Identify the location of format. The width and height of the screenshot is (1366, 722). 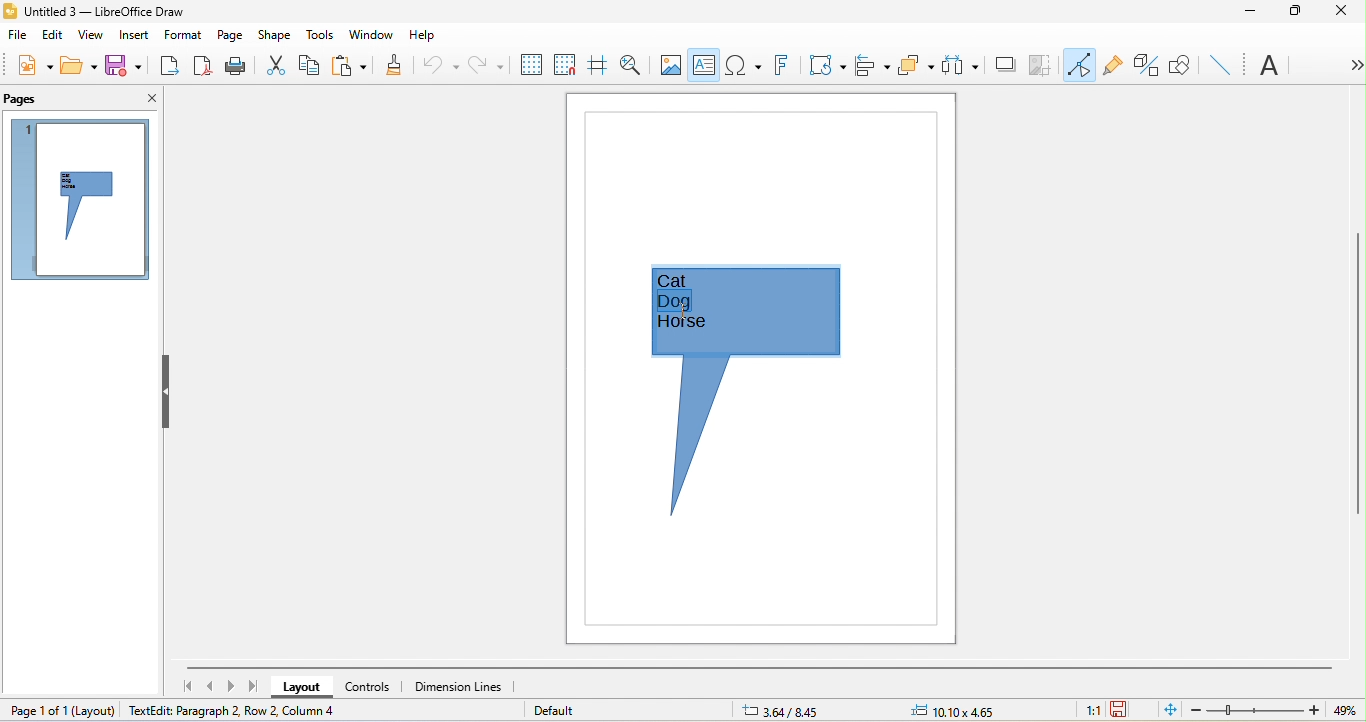
(181, 37).